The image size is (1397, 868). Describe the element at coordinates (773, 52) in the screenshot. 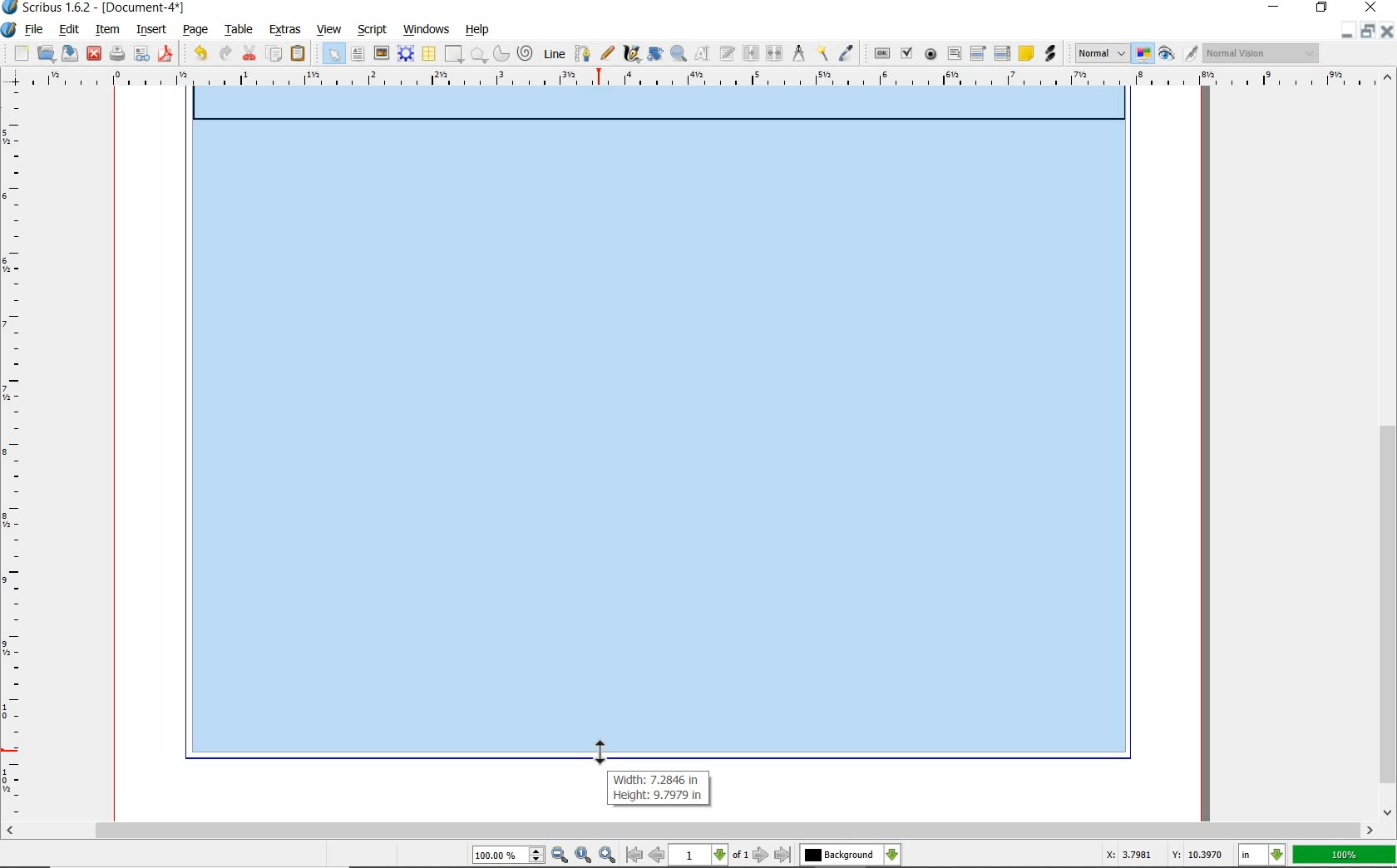

I see `unlink text frames` at that location.